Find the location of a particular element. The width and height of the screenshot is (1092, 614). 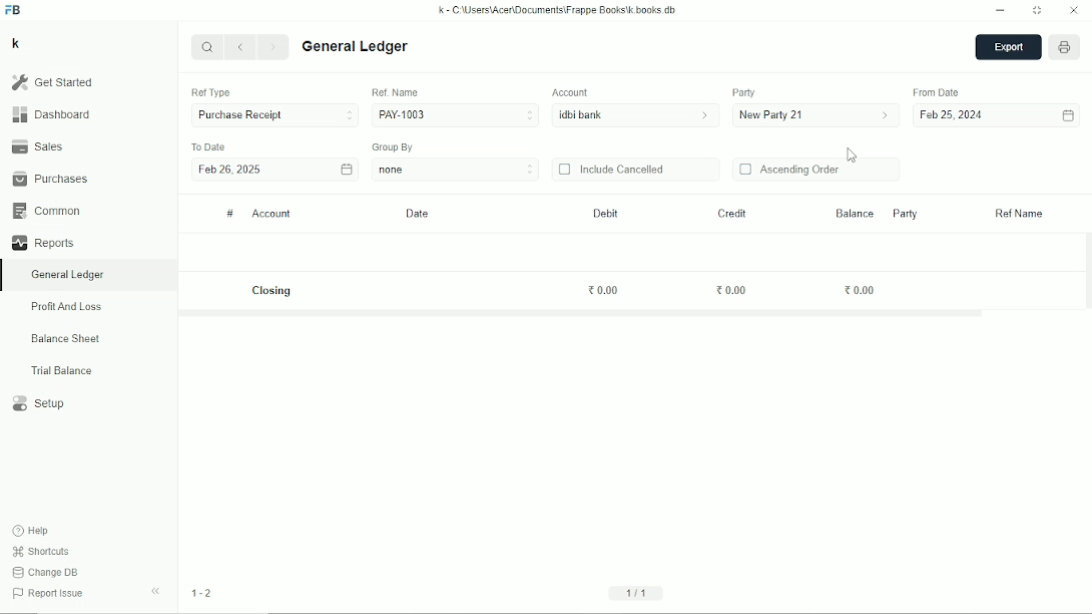

0.00 is located at coordinates (860, 289).